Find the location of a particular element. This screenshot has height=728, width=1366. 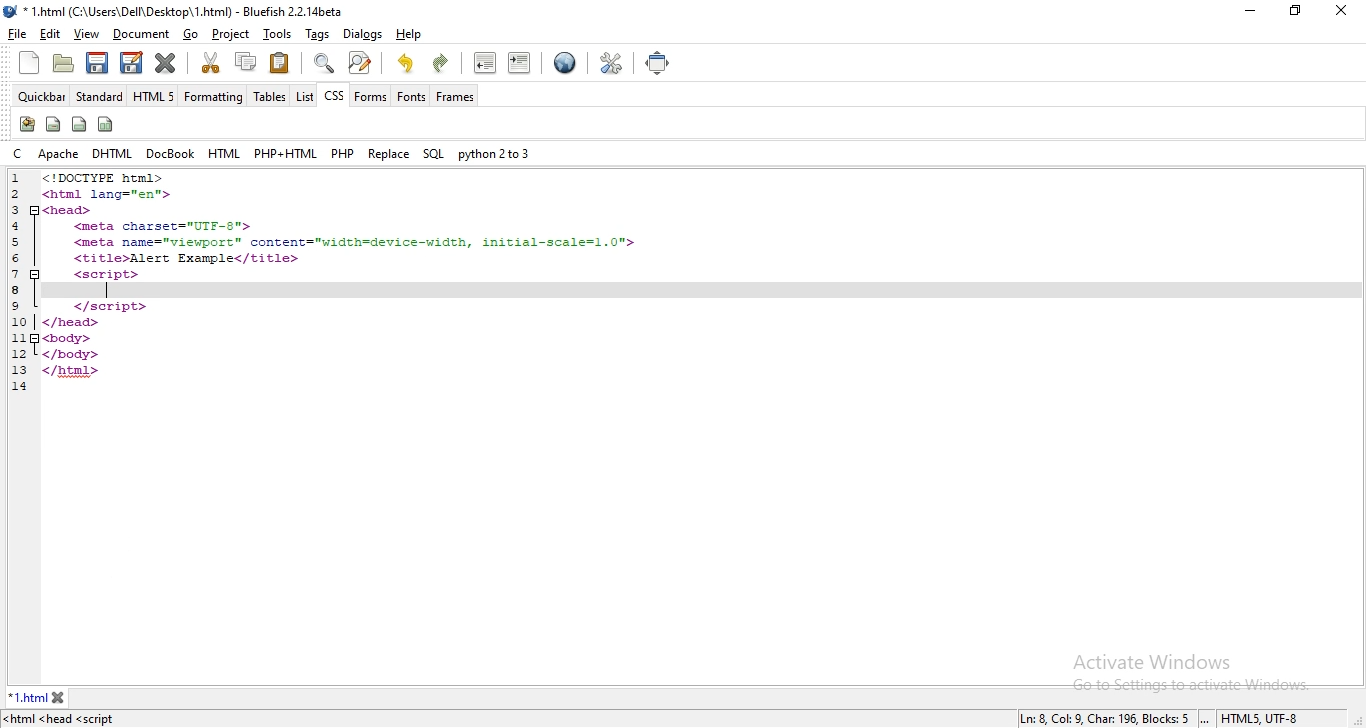

<html <head <script is located at coordinates (60, 719).